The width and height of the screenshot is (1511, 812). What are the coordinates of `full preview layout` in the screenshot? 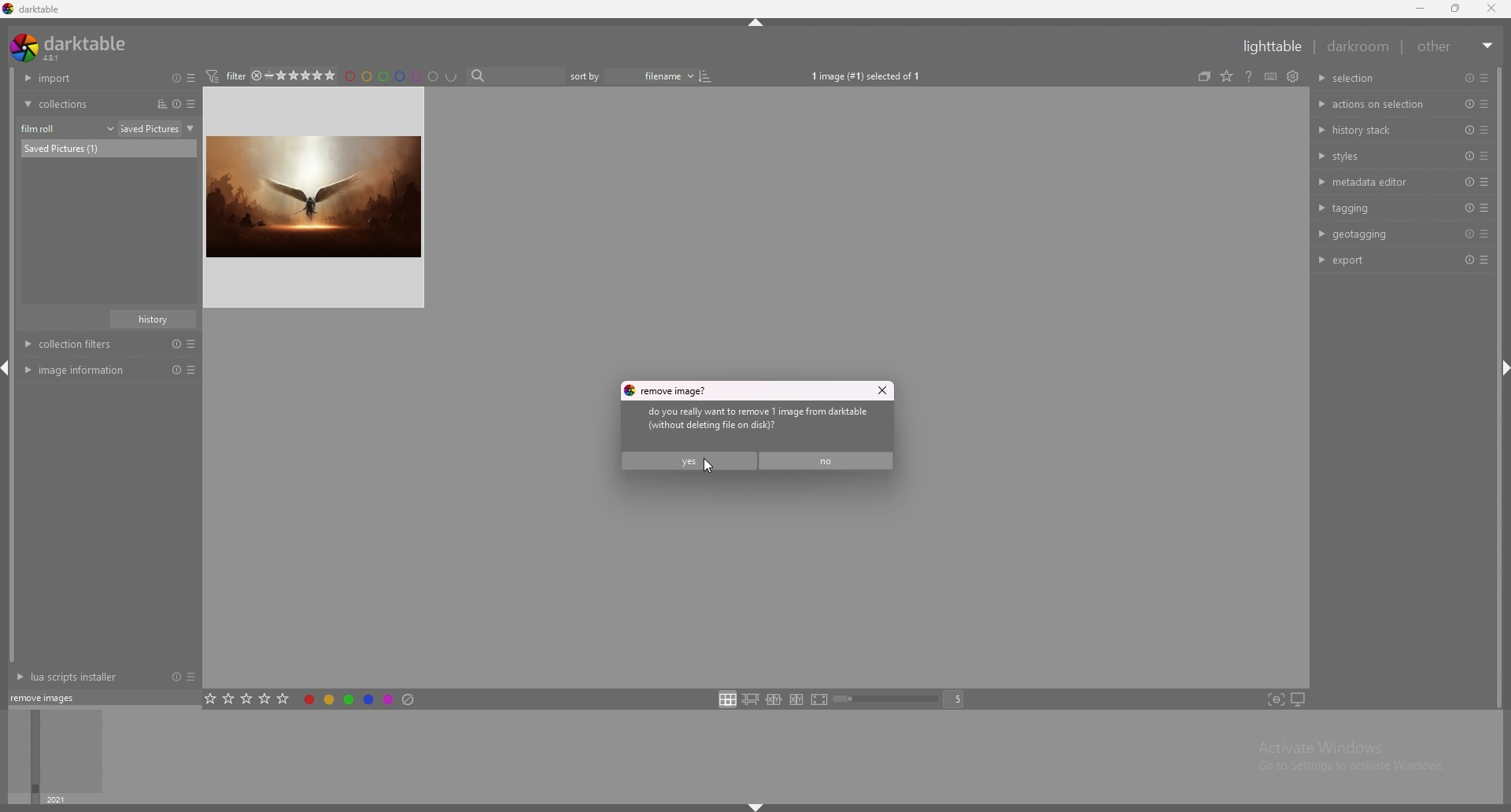 It's located at (820, 701).